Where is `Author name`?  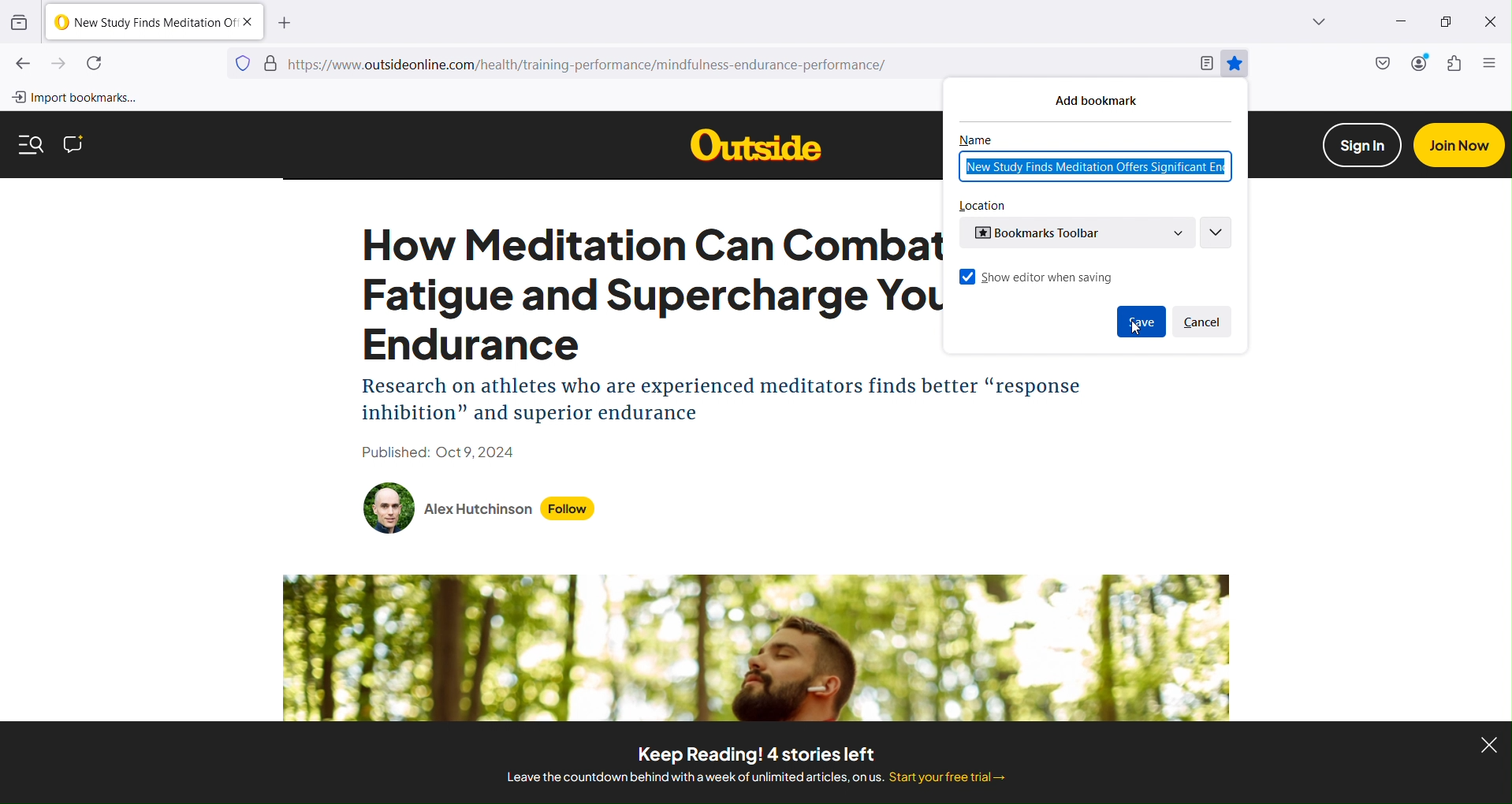
Author name is located at coordinates (479, 509).